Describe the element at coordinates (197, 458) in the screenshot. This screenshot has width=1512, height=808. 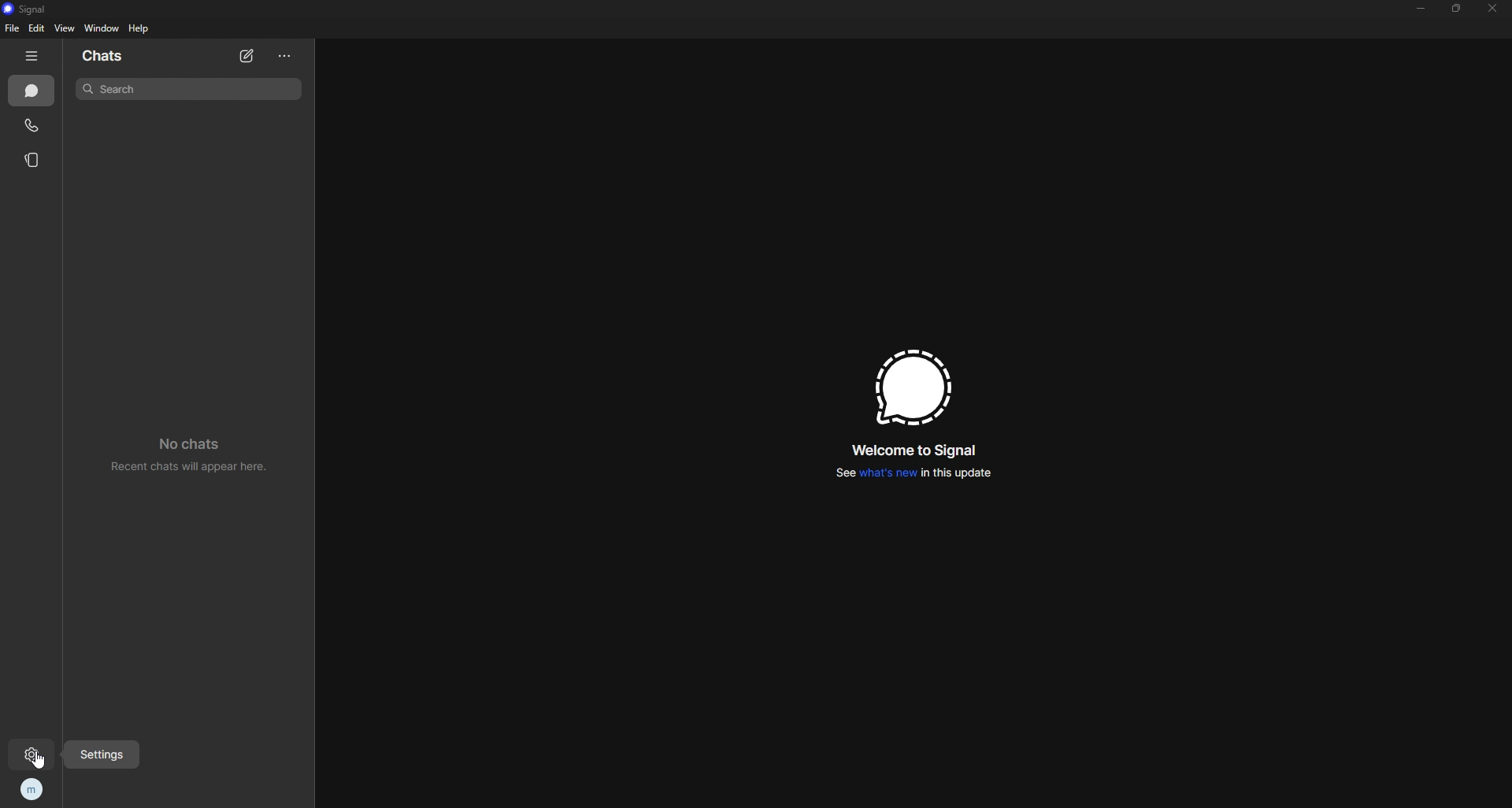
I see `no chats recent chats will appear here` at that location.